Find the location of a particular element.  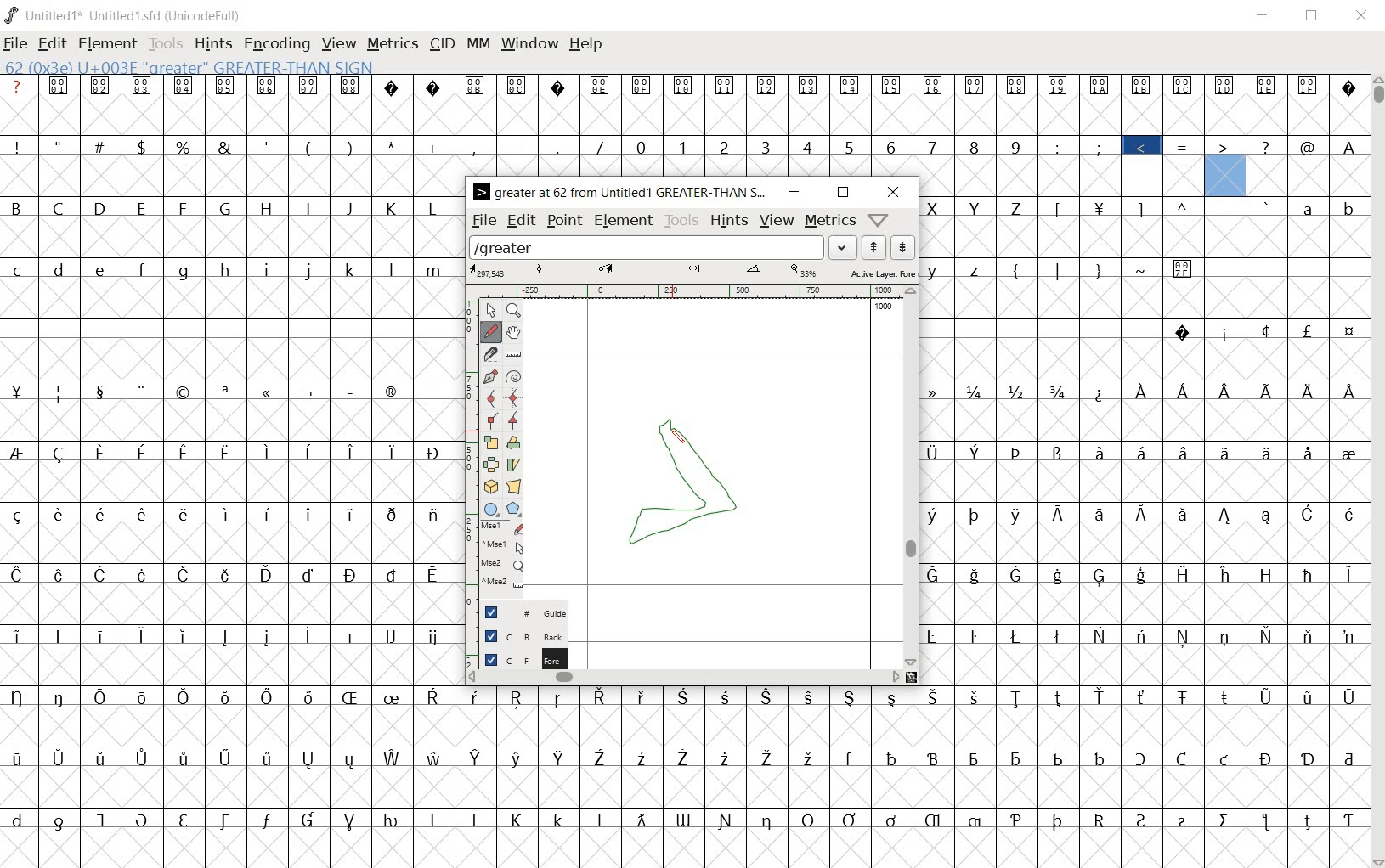

file is located at coordinates (15, 45).